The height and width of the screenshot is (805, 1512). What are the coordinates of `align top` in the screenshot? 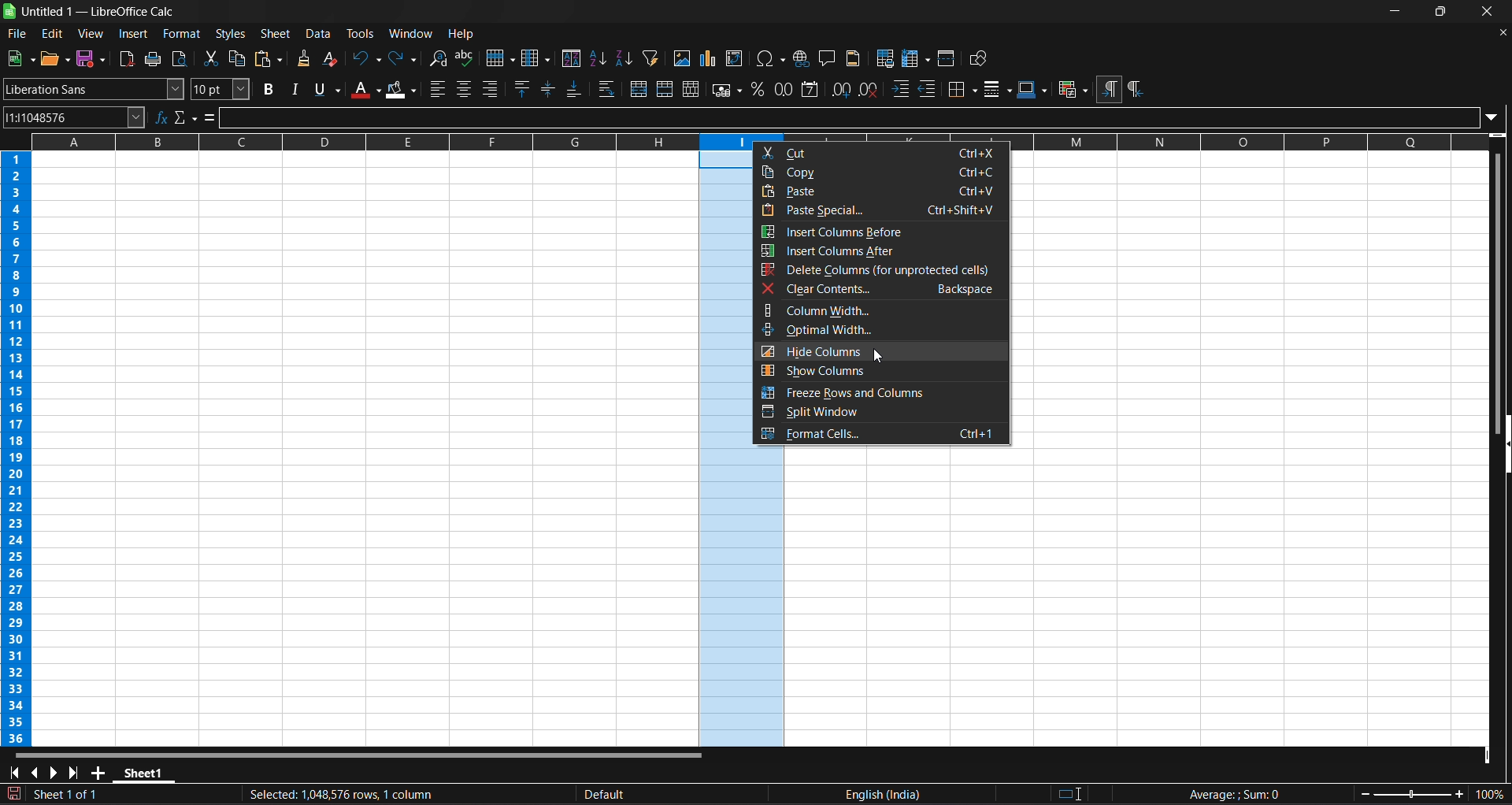 It's located at (523, 89).